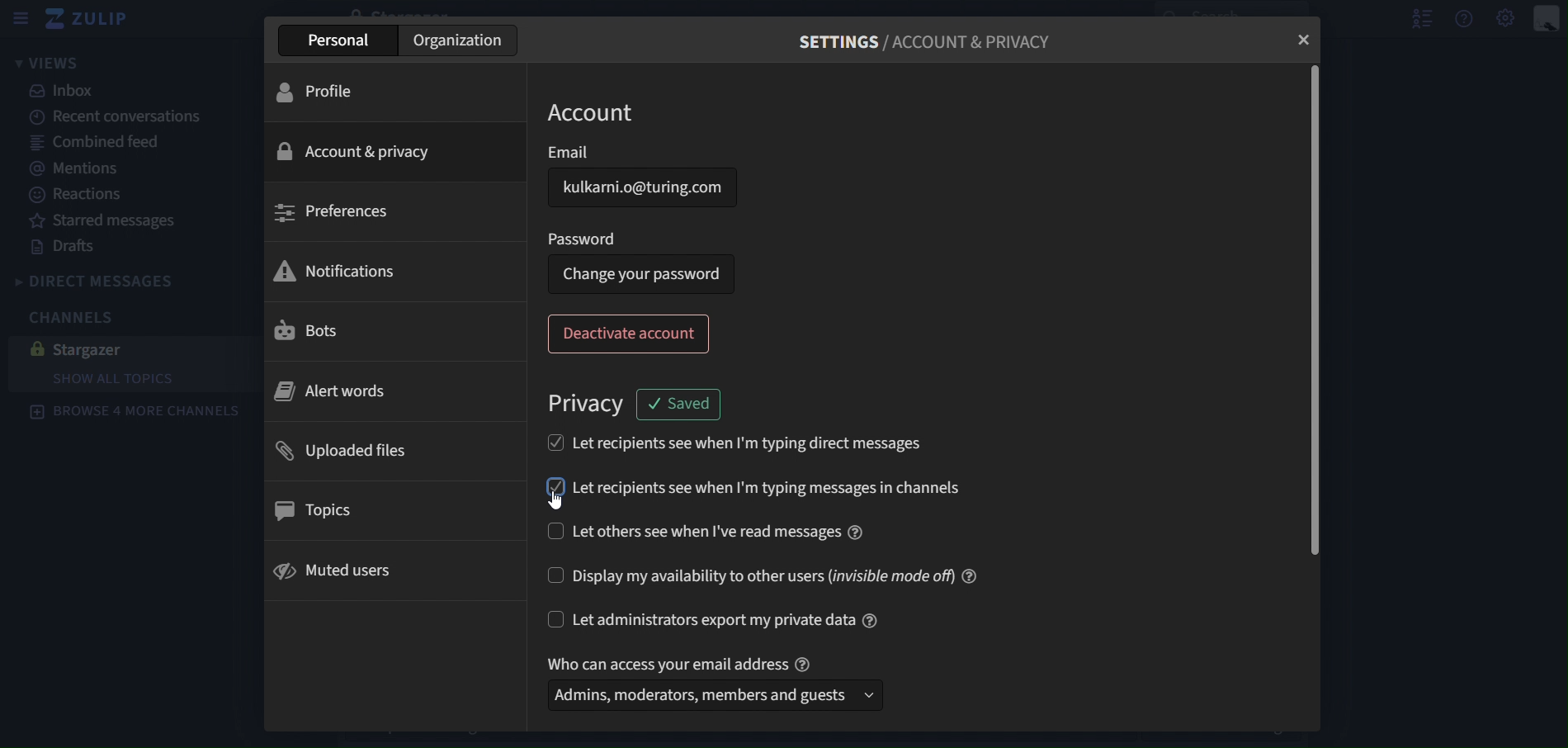  What do you see at coordinates (80, 352) in the screenshot?
I see `stargazer` at bounding box center [80, 352].